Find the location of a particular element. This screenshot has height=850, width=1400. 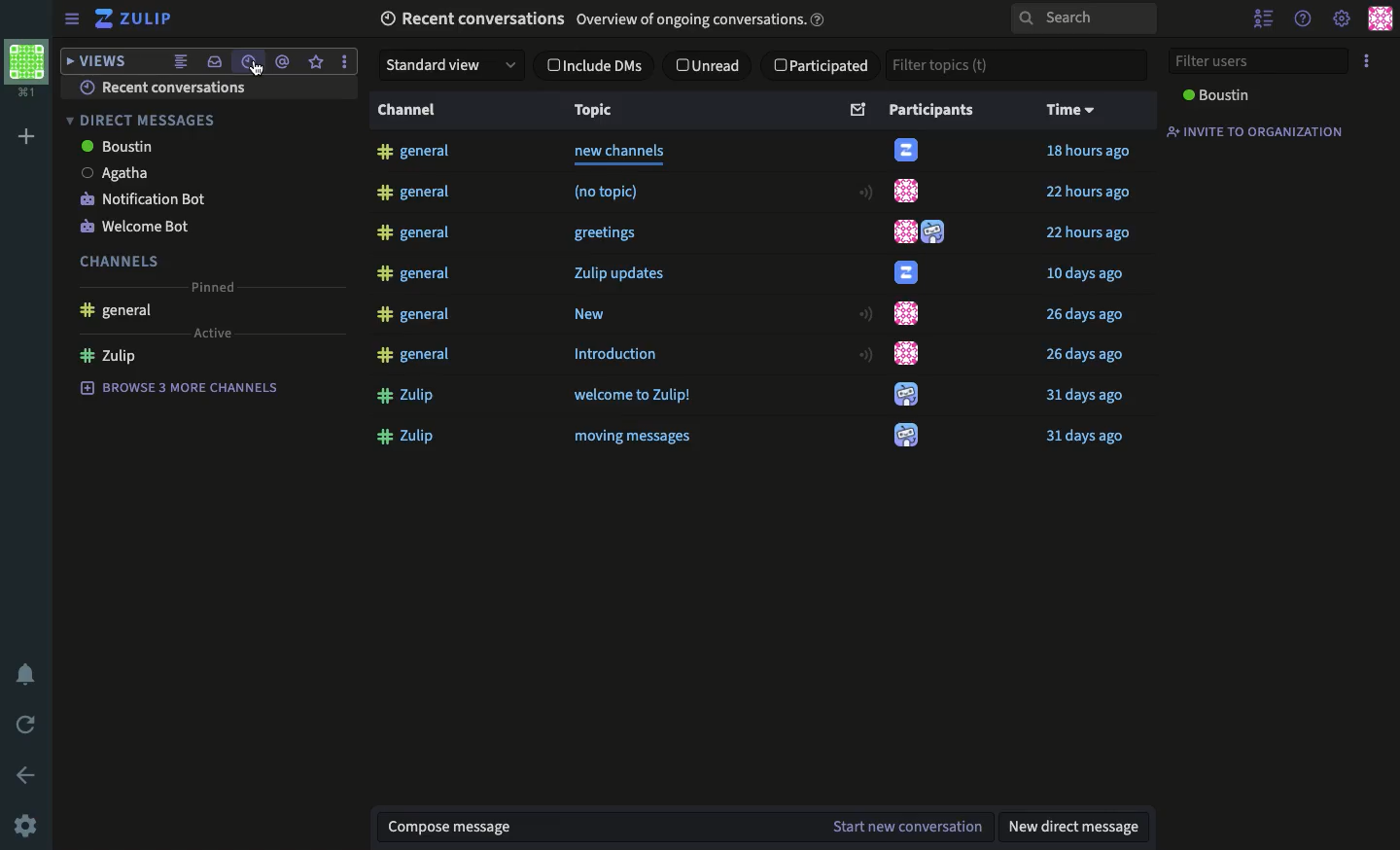

views is located at coordinates (97, 62).